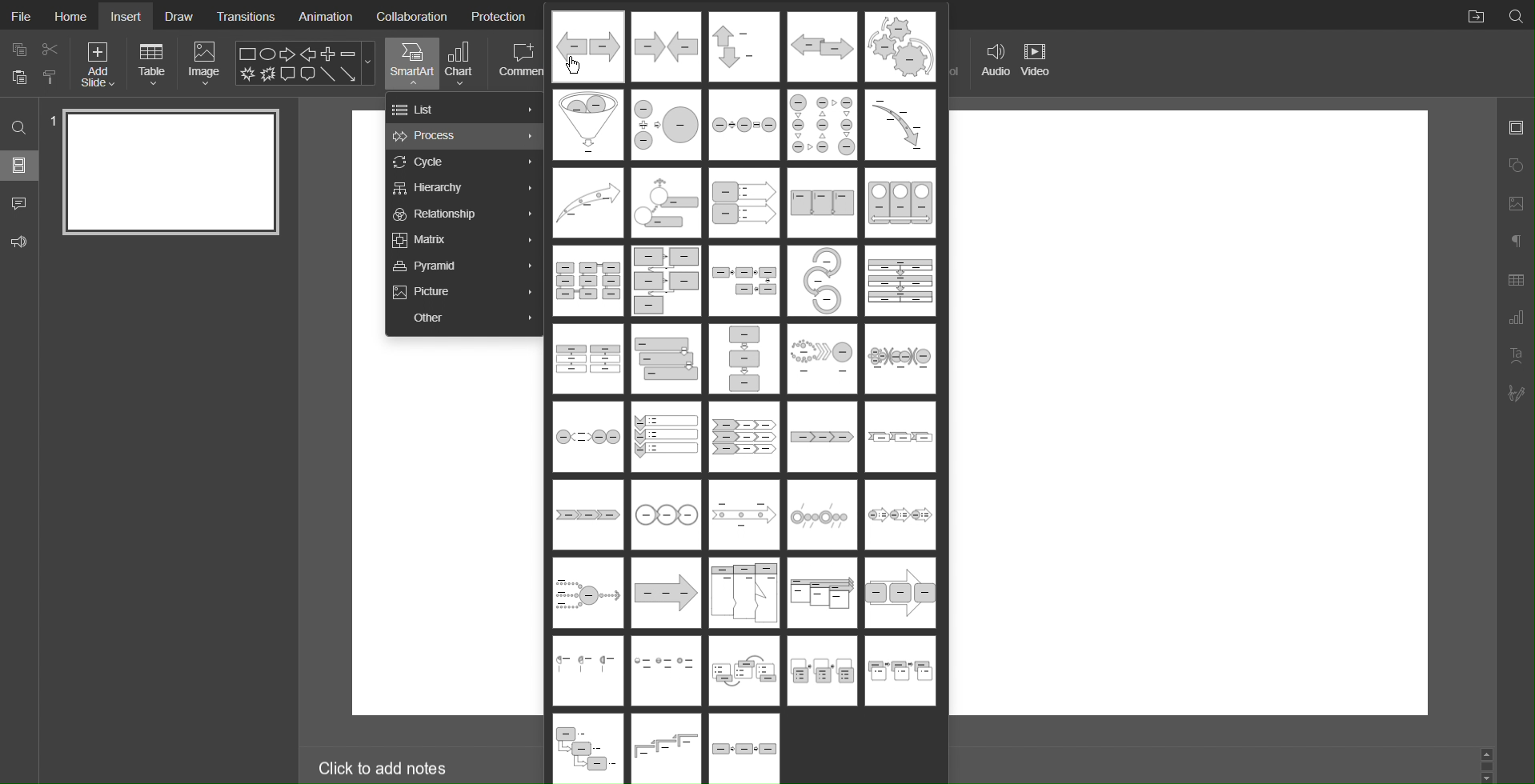  What do you see at coordinates (306, 62) in the screenshot?
I see `Shape Menu` at bounding box center [306, 62].